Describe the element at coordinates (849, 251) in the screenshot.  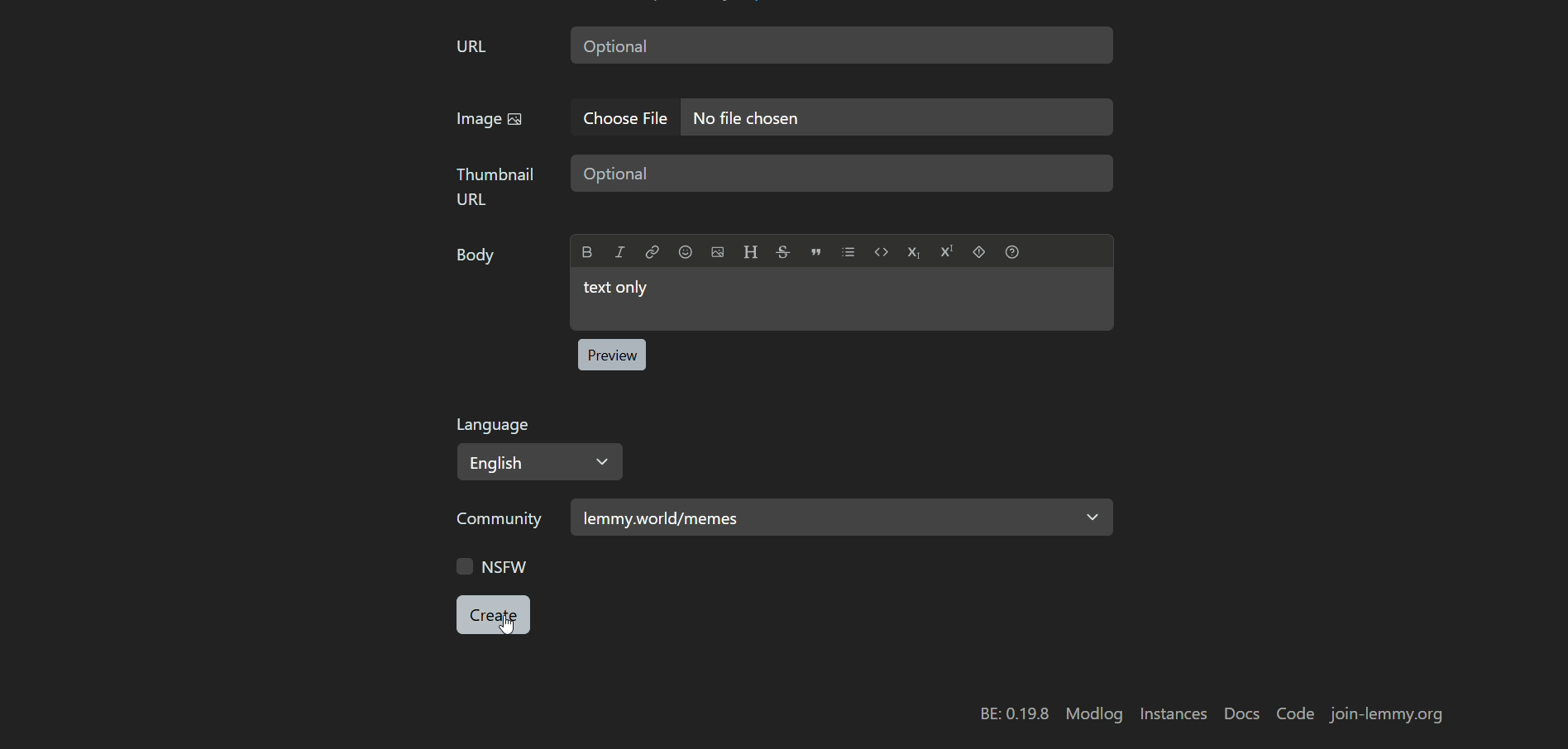
I see `List` at that location.